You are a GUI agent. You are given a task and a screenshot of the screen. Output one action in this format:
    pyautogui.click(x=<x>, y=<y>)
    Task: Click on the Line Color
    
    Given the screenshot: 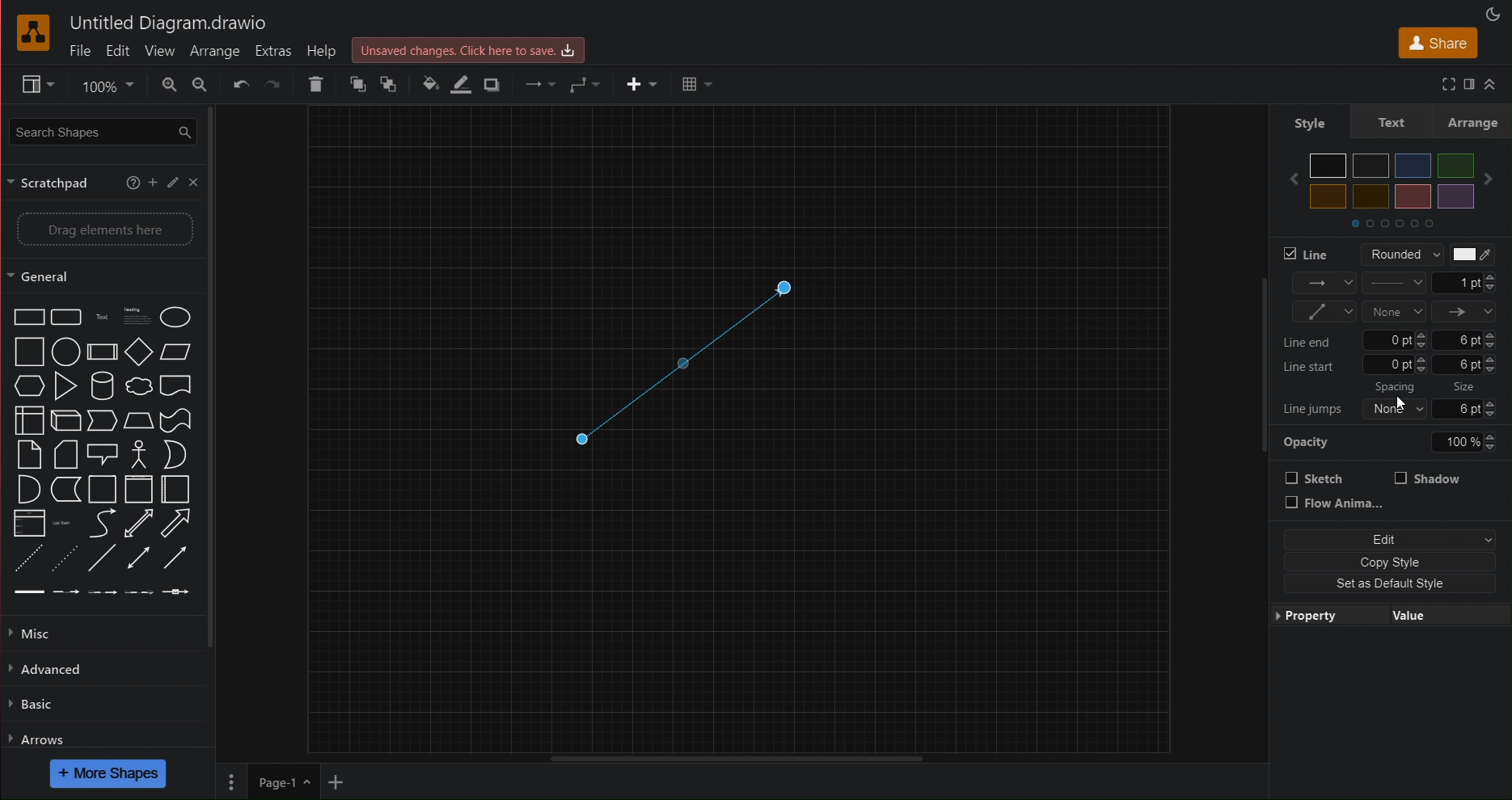 What is the action you would take?
    pyautogui.click(x=458, y=86)
    